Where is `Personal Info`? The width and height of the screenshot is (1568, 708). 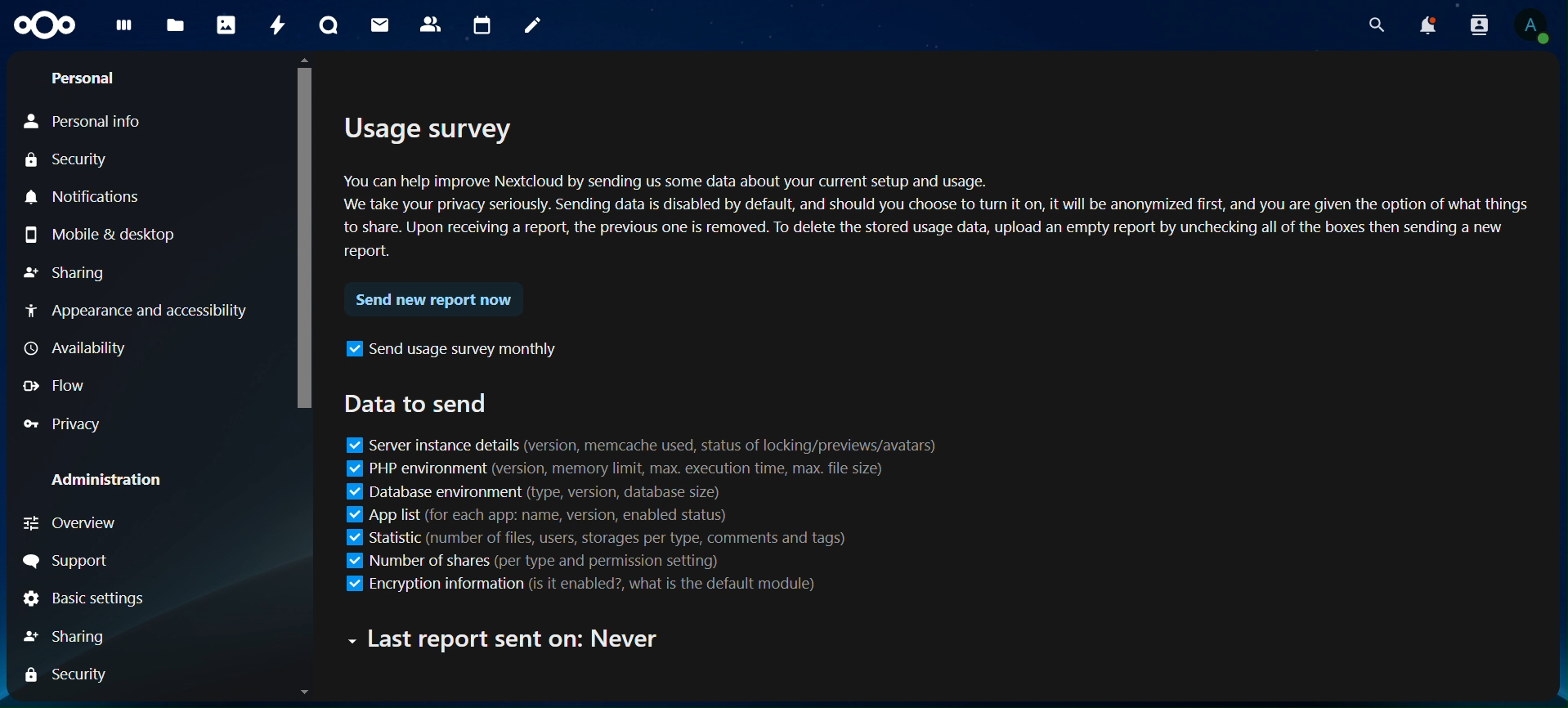 Personal Info is located at coordinates (109, 123).